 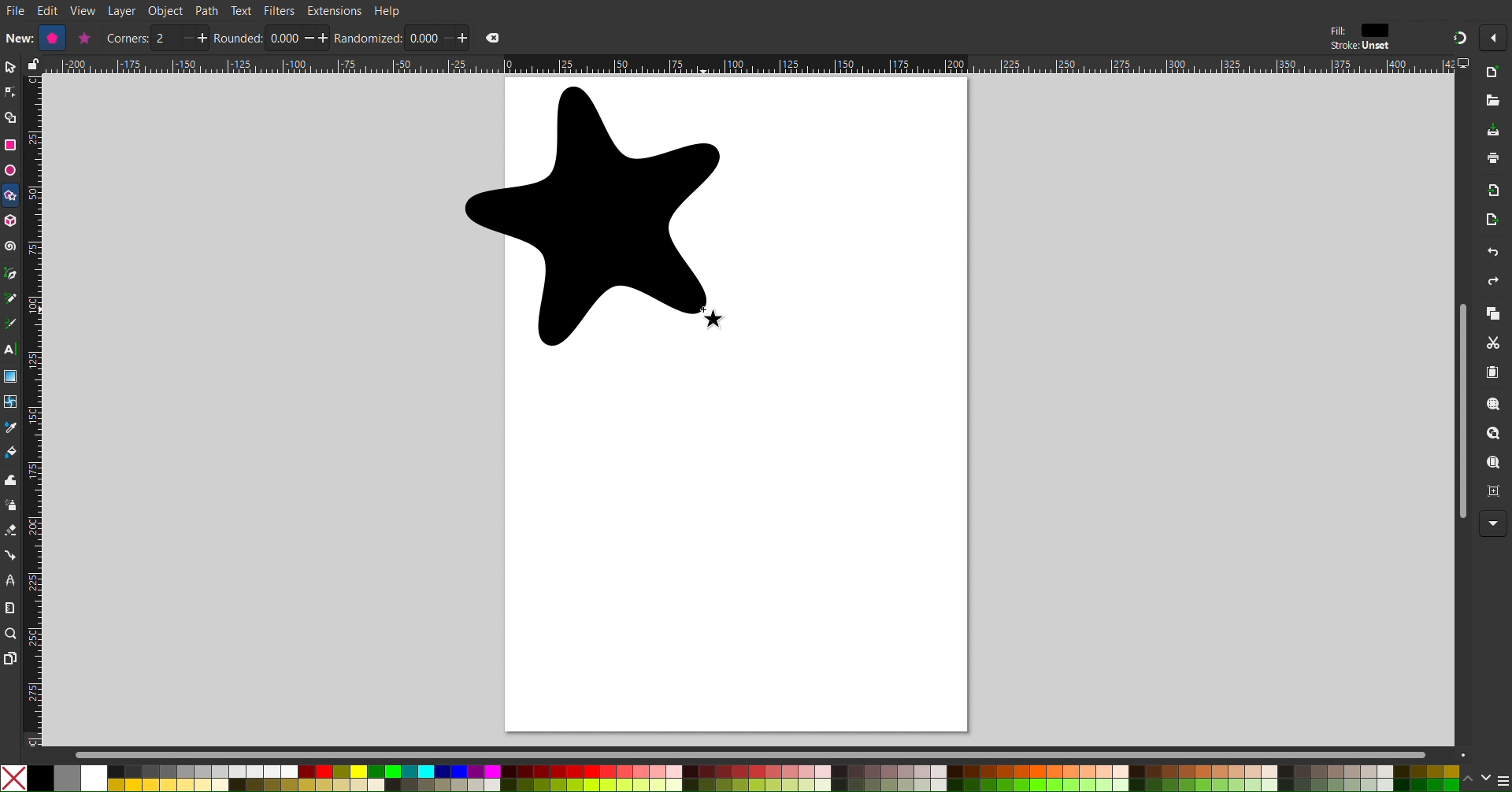 What do you see at coordinates (1492, 254) in the screenshot?
I see `Undo` at bounding box center [1492, 254].